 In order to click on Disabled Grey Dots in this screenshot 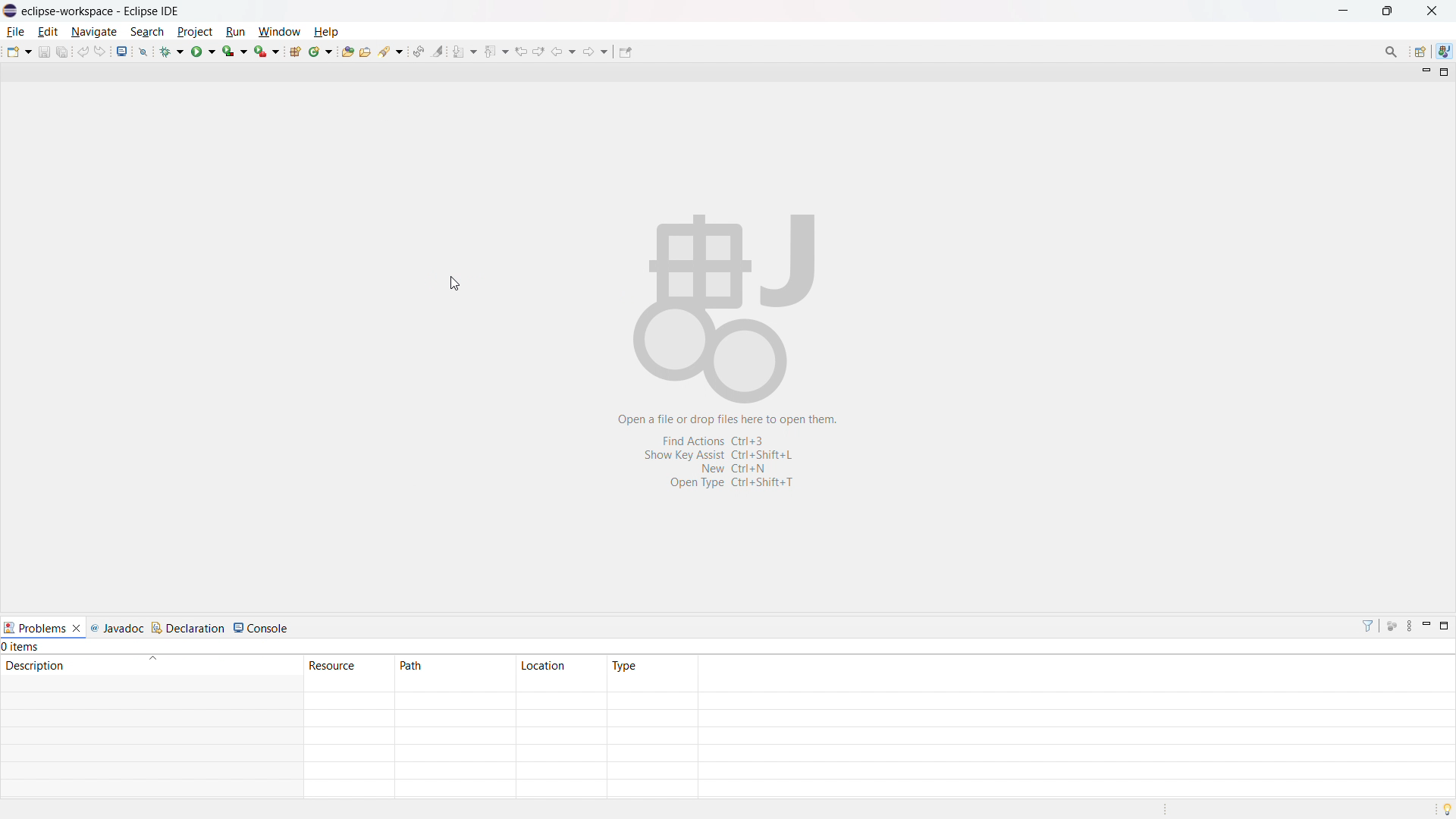, I will do `click(1392, 626)`.